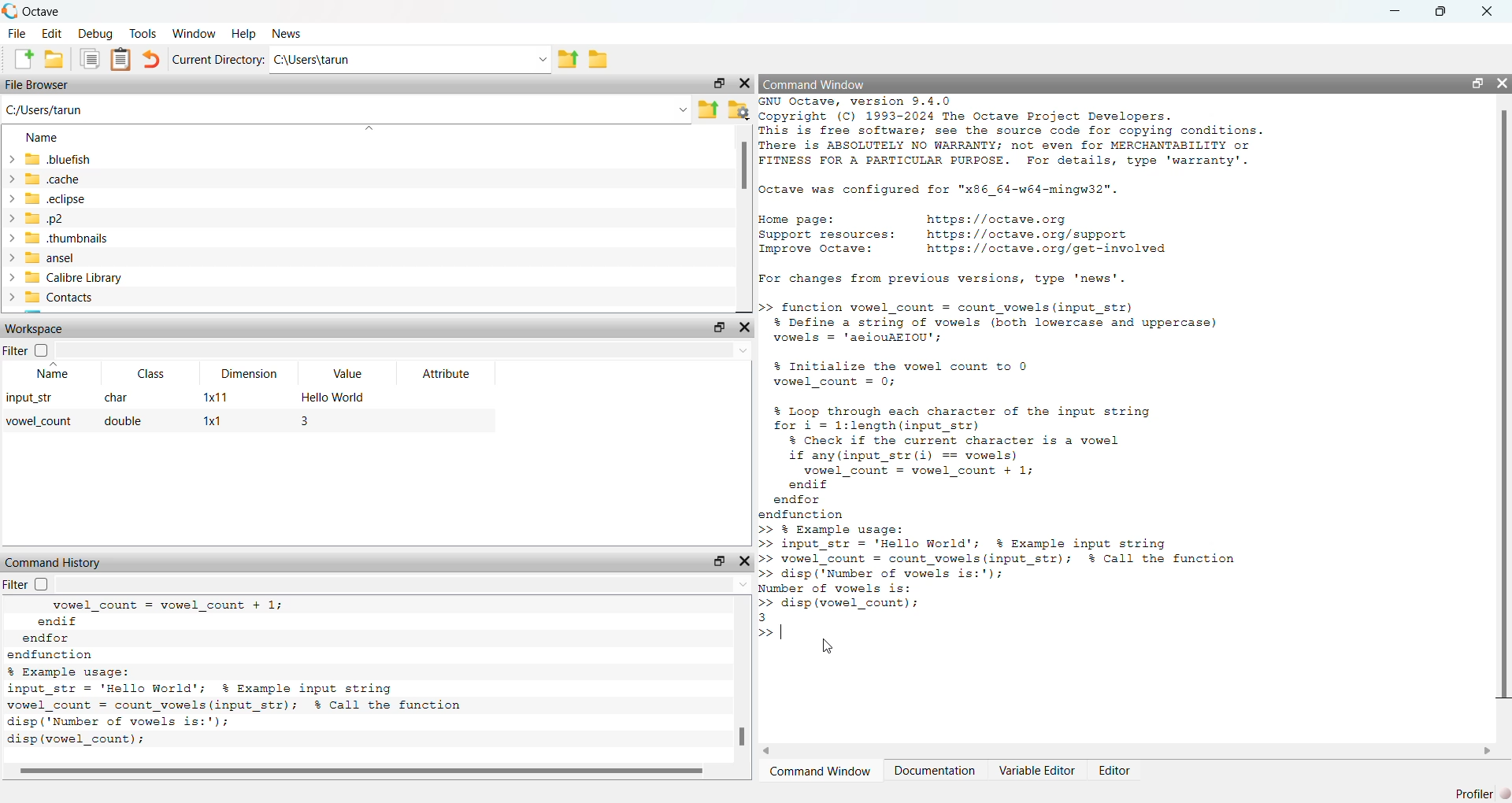  Describe the element at coordinates (10, 11) in the screenshot. I see `Octave logo` at that location.